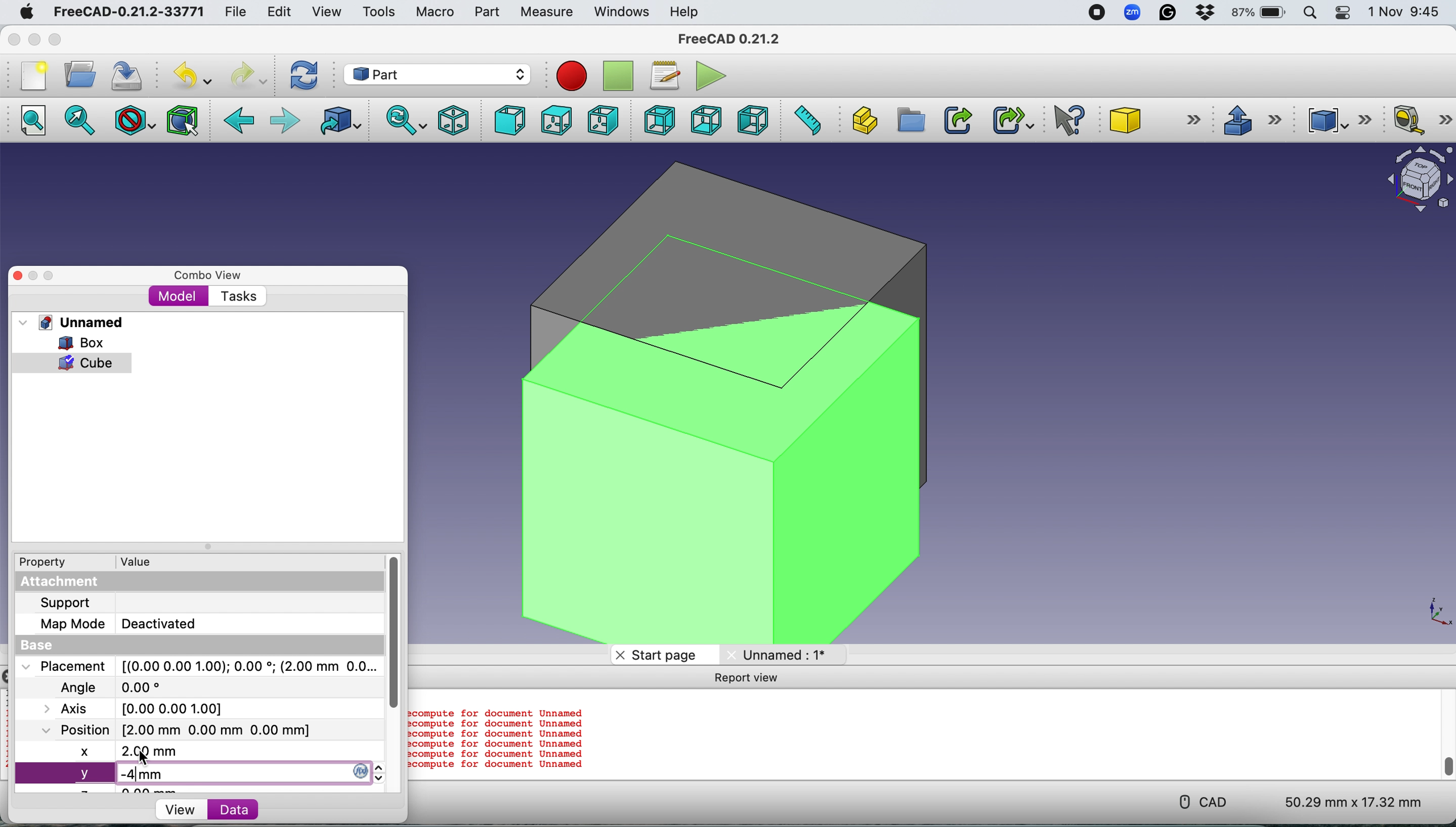 This screenshot has width=1456, height=827. I want to click on Sync view, so click(402, 120).